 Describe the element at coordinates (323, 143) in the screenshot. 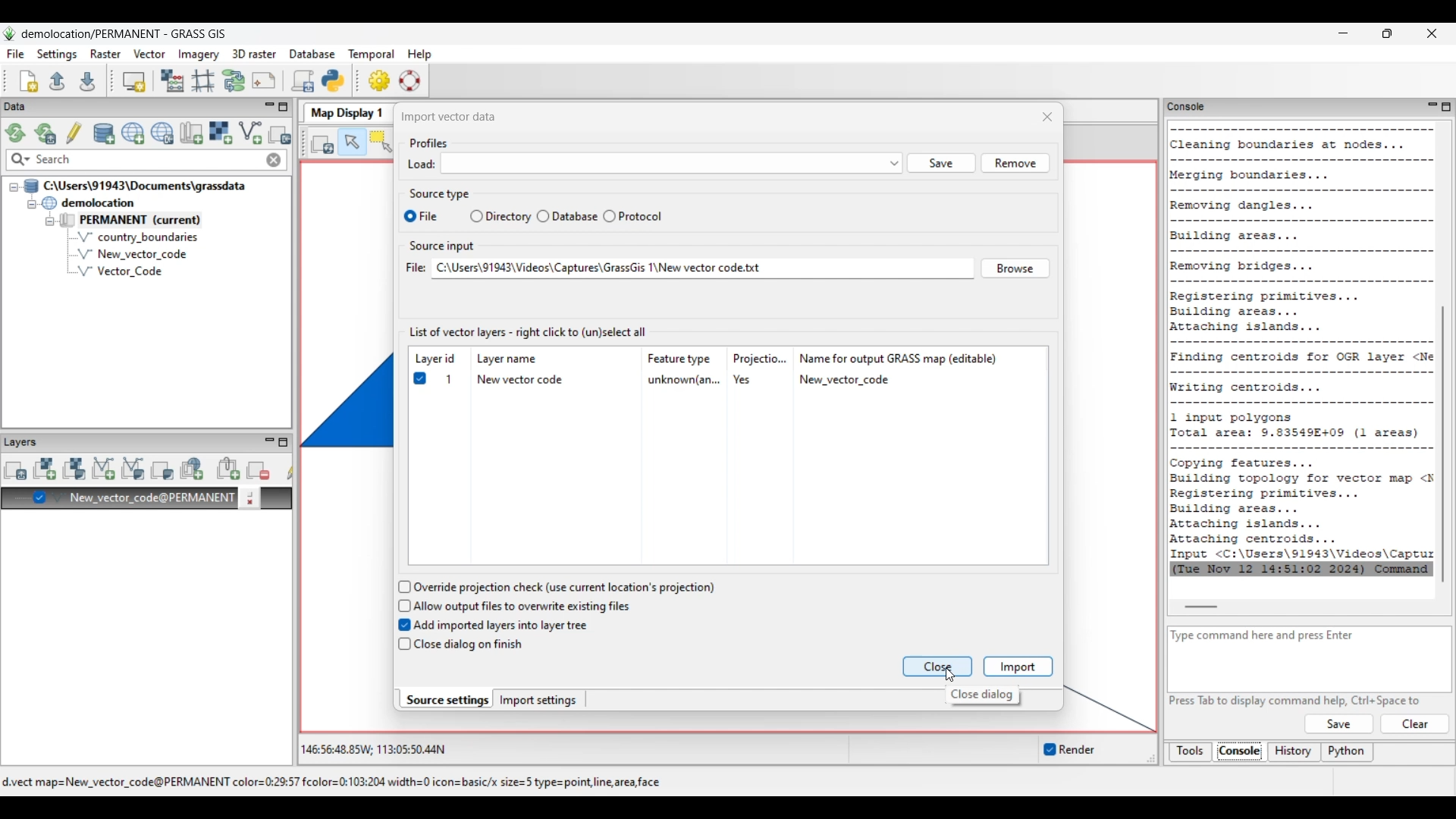

I see `Render map` at that location.